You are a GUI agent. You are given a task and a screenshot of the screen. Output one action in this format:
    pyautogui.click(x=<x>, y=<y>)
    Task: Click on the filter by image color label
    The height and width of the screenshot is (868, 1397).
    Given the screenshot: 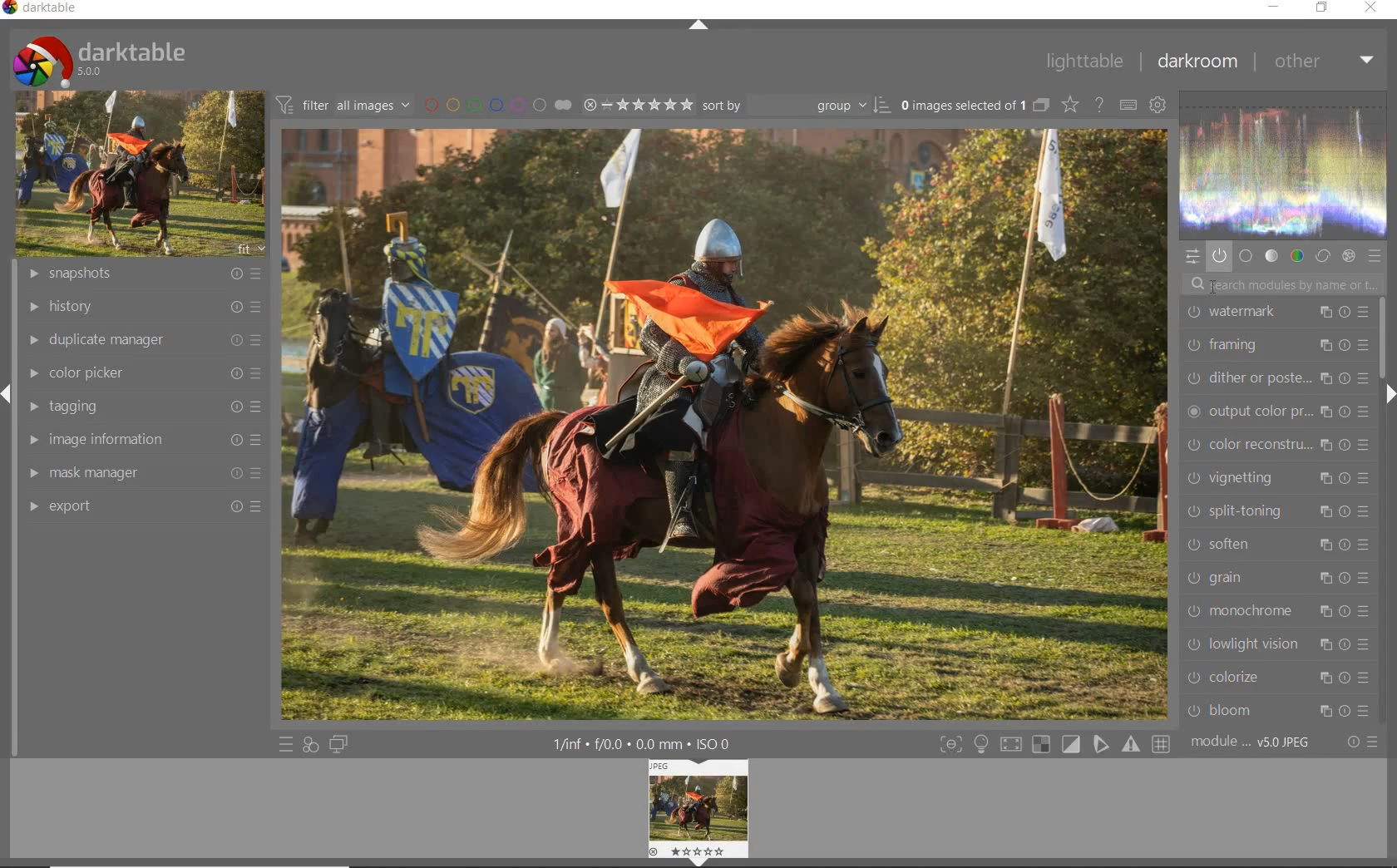 What is the action you would take?
    pyautogui.click(x=497, y=104)
    